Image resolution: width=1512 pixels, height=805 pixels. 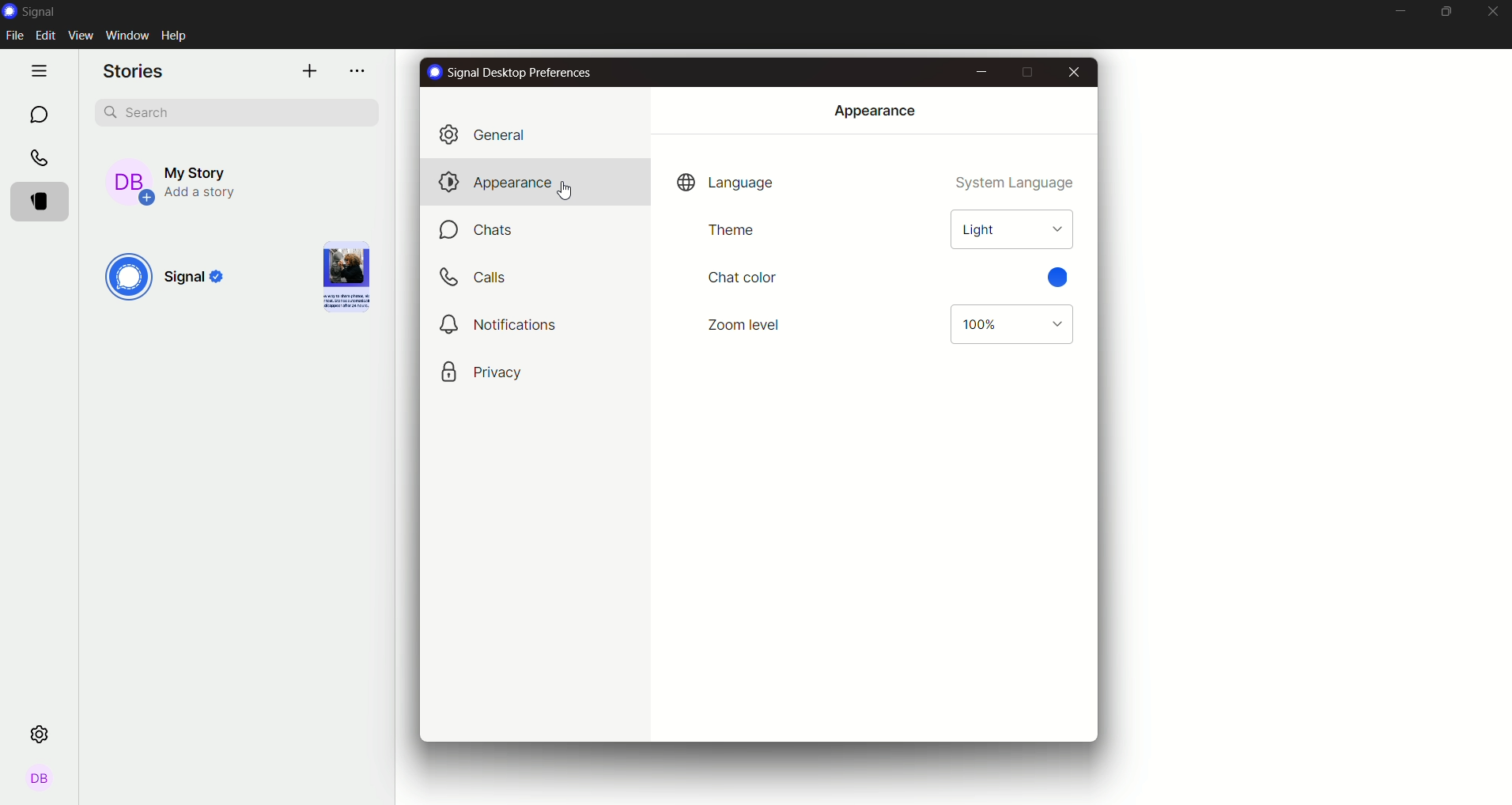 I want to click on appearance, so click(x=493, y=181).